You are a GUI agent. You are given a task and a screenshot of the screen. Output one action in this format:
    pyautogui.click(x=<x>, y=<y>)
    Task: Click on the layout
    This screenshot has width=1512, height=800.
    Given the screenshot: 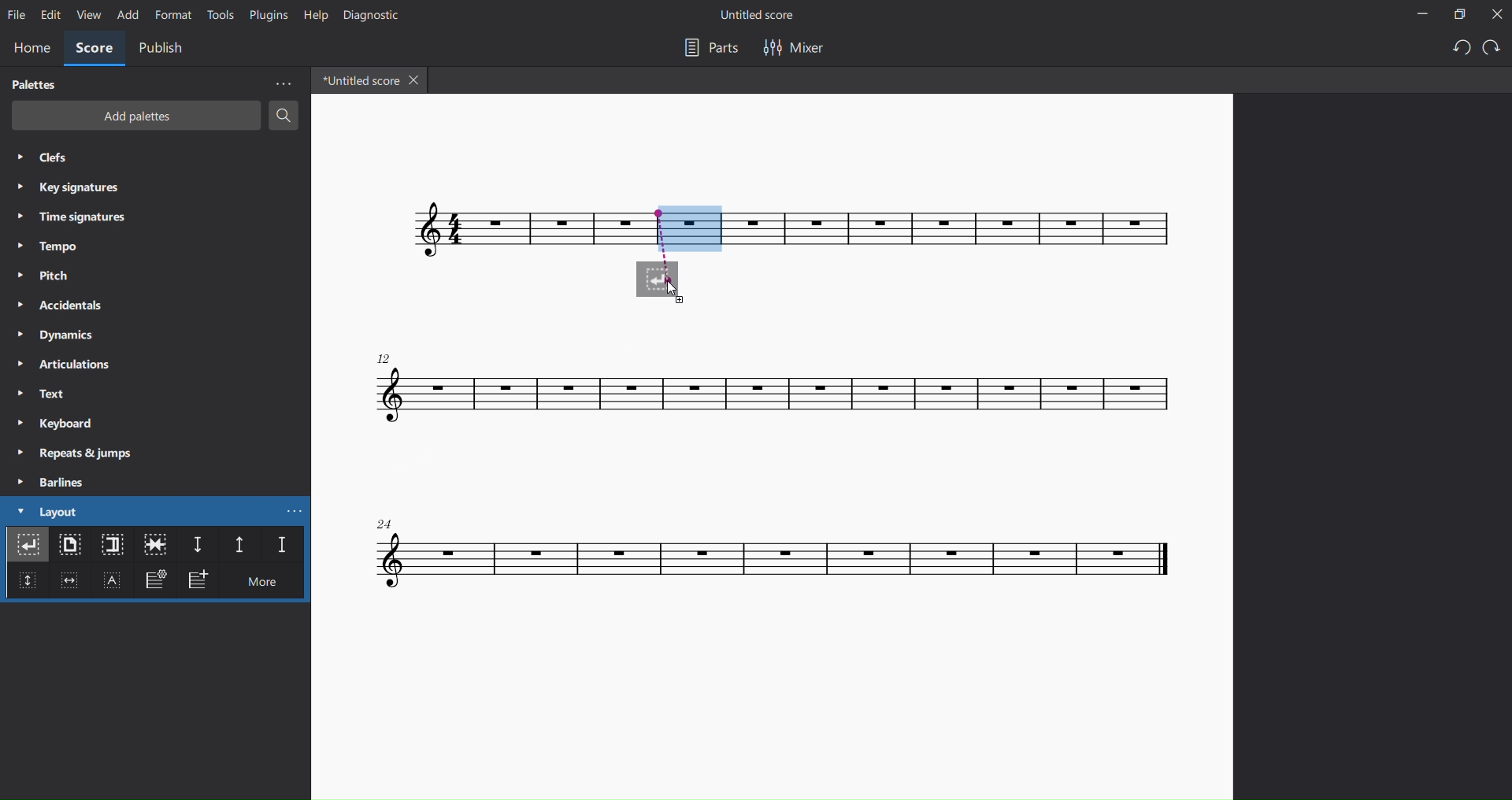 What is the action you would take?
    pyautogui.click(x=46, y=512)
    